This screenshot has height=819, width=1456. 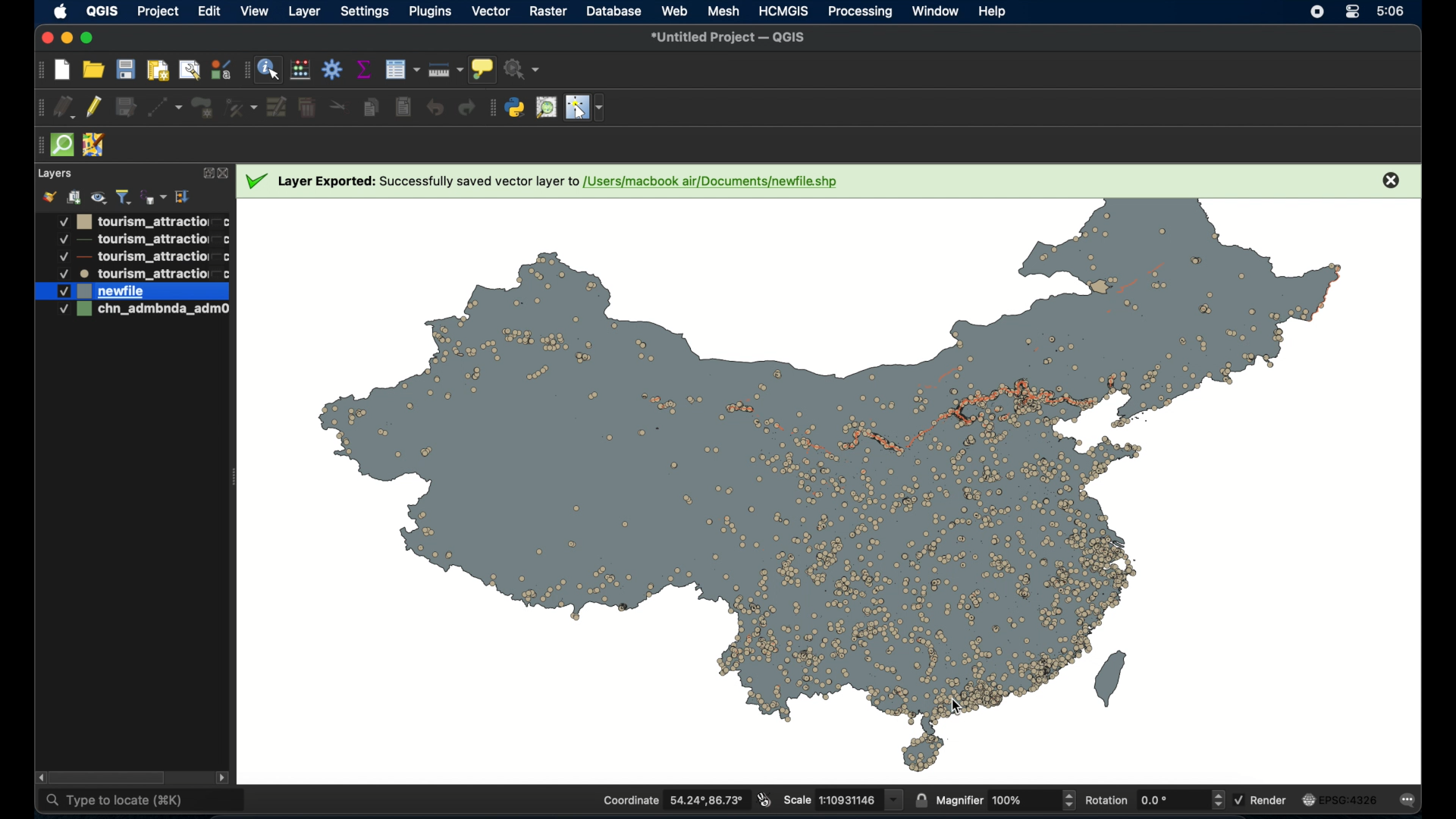 I want to click on print layout, so click(x=158, y=69).